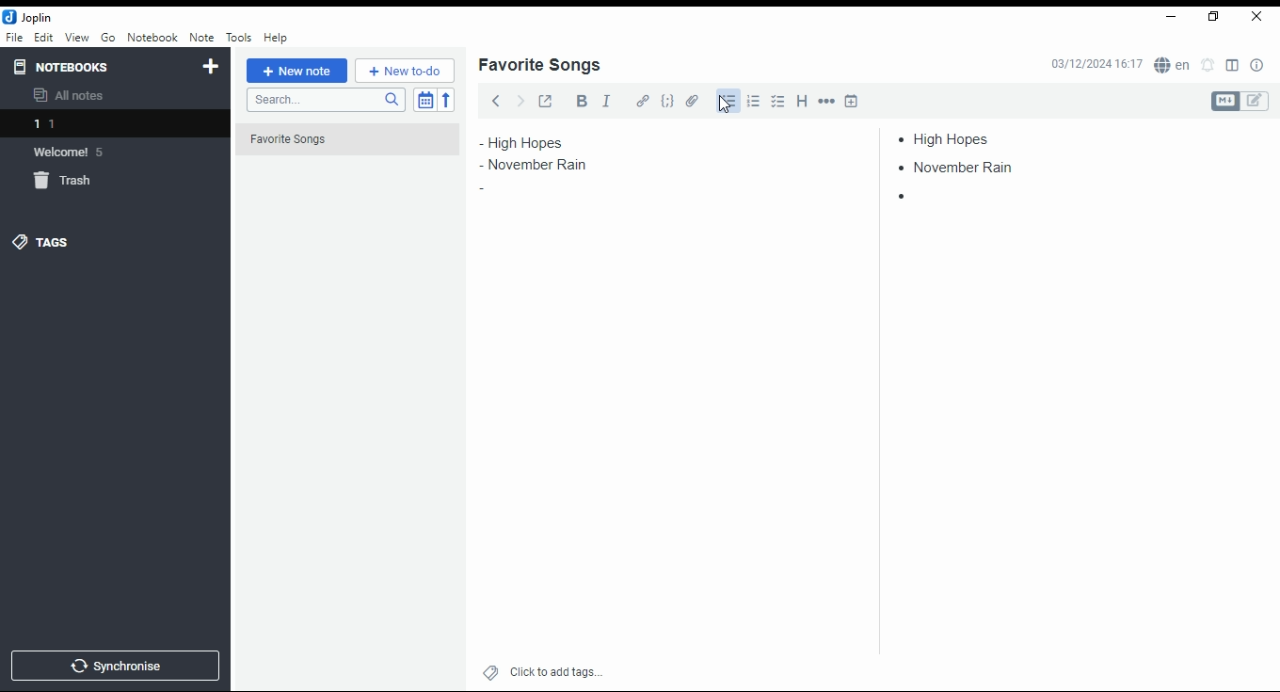 The width and height of the screenshot is (1280, 692). I want to click on high hopes, so click(953, 139).